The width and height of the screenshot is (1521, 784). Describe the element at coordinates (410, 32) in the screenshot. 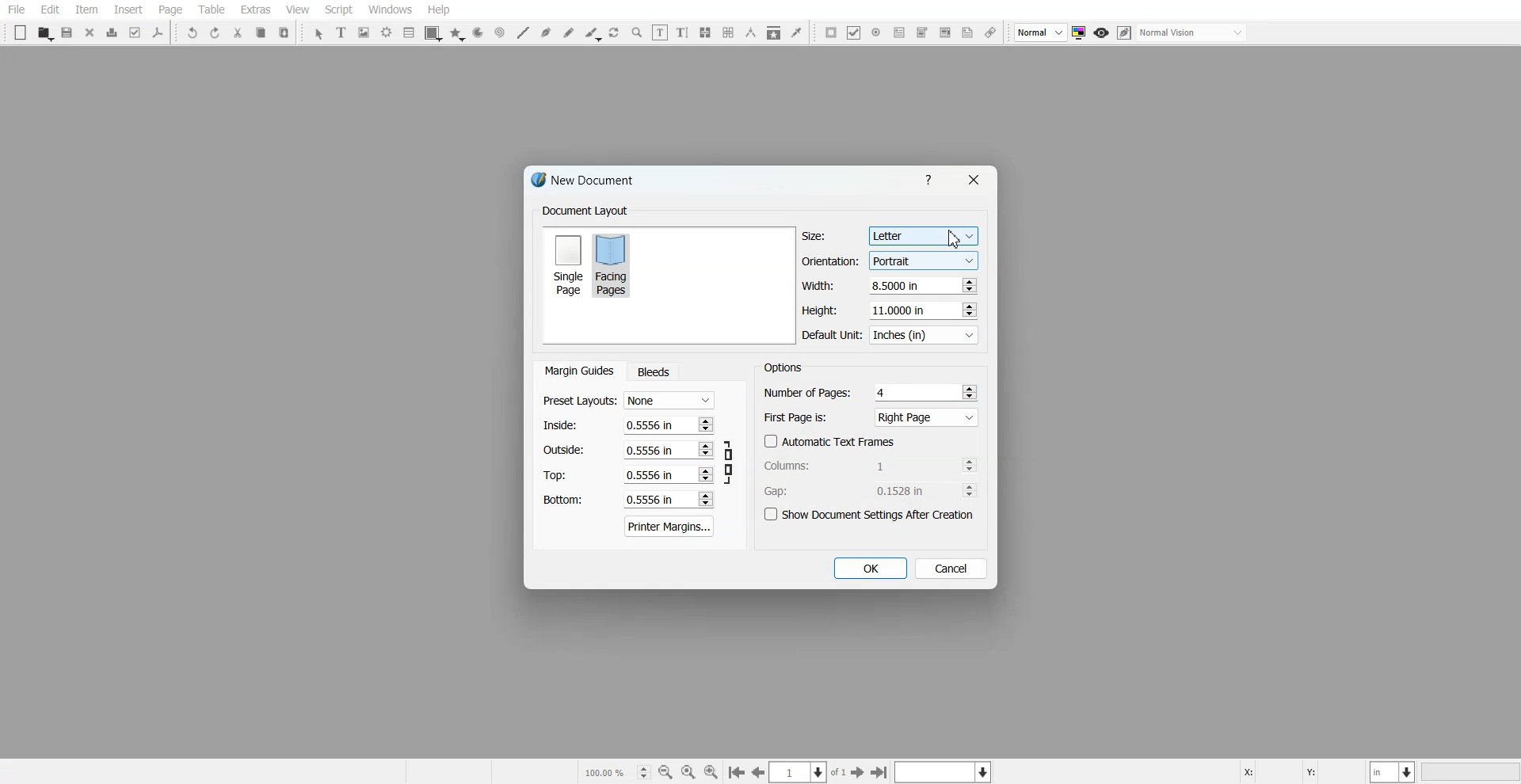

I see `List` at that location.